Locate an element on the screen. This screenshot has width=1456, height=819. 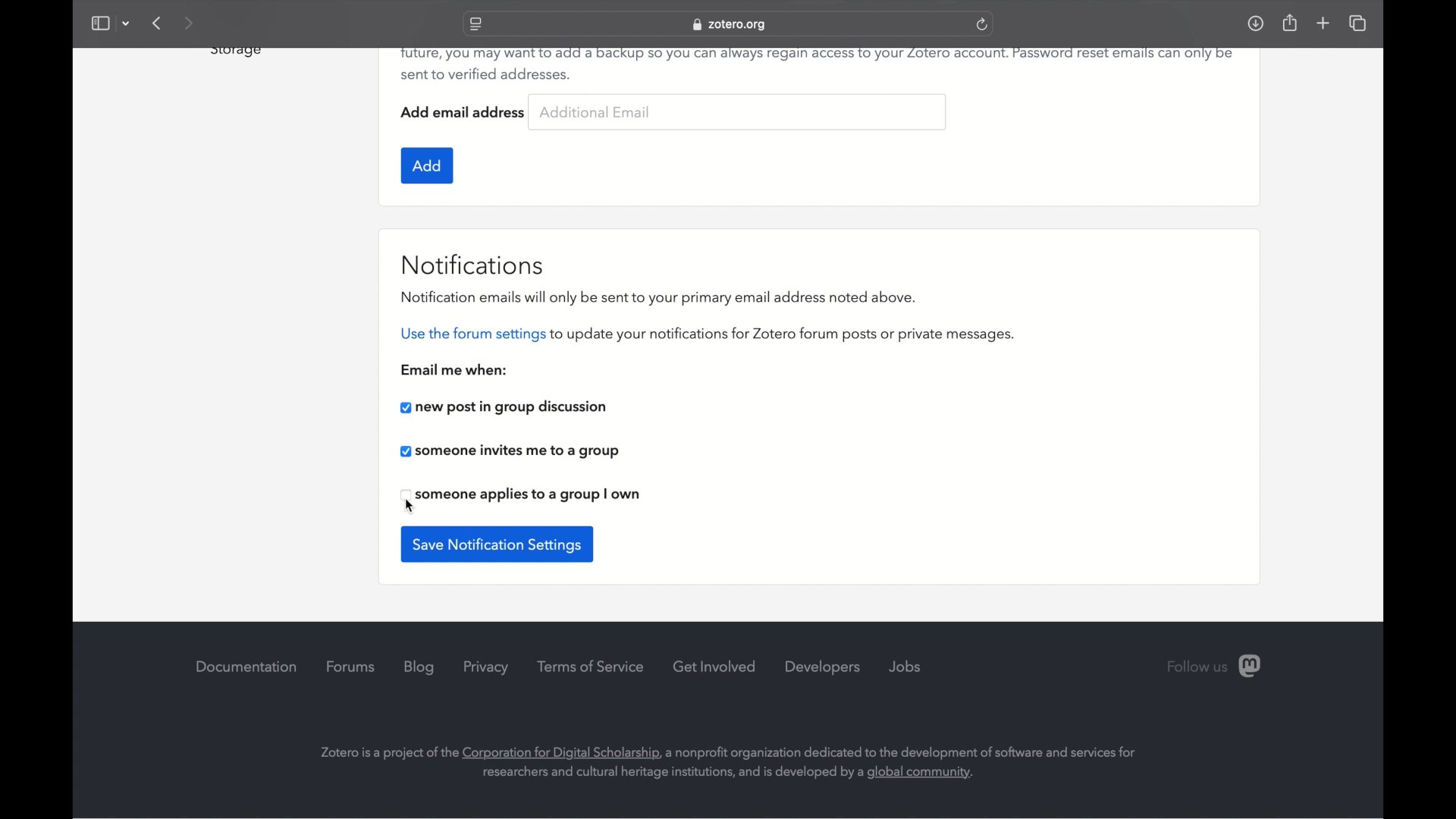
cursor is located at coordinates (411, 506).